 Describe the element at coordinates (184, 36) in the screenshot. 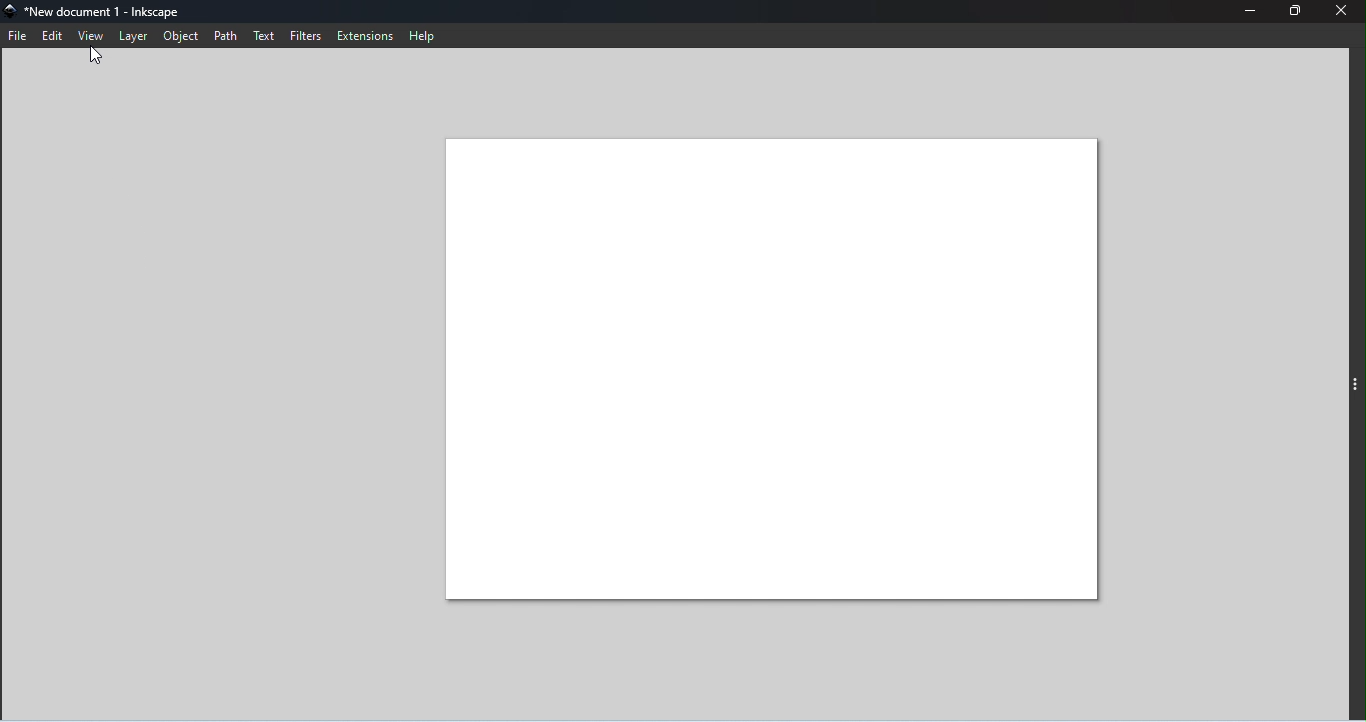

I see `Object` at that location.